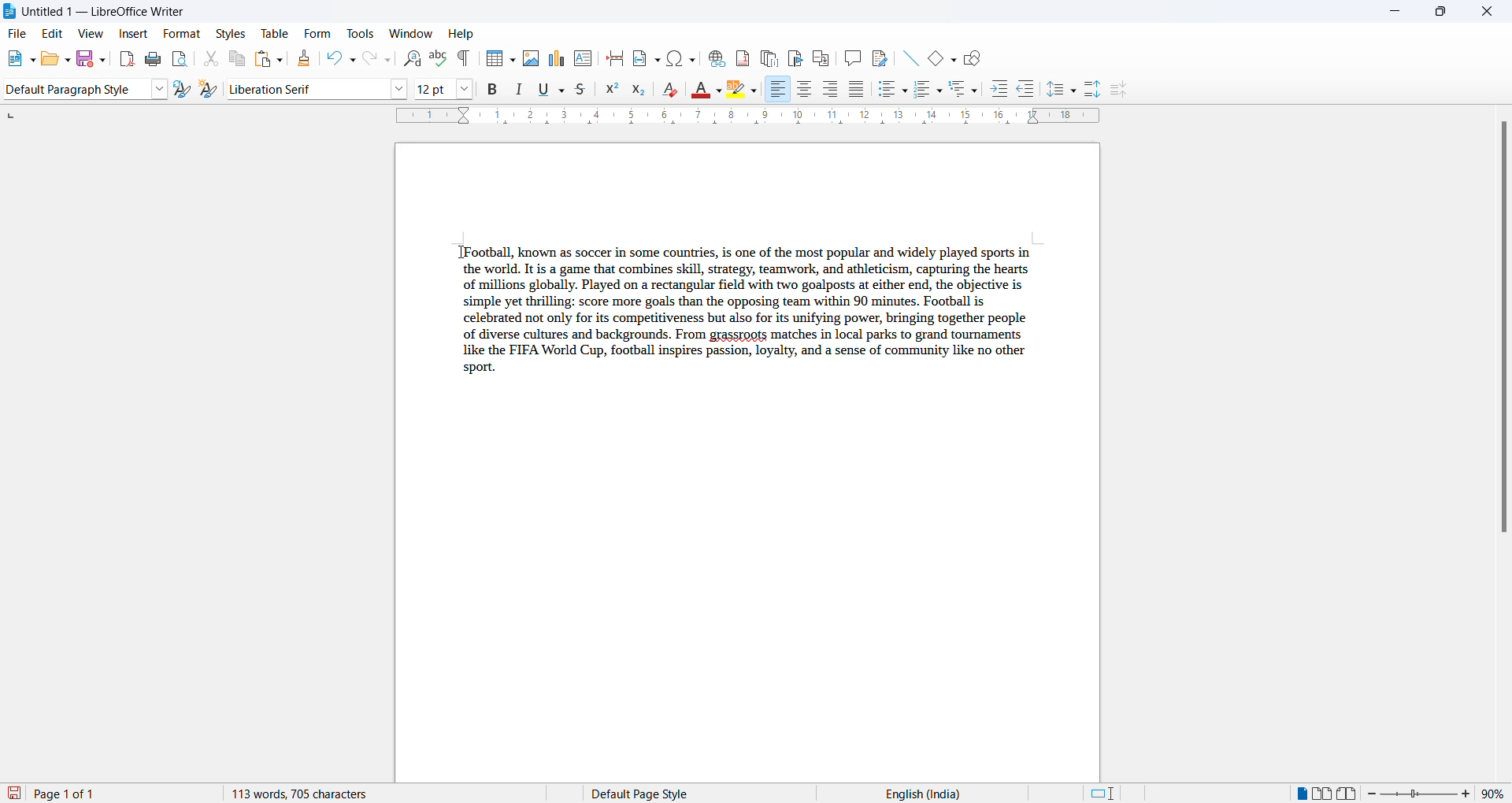 The width and height of the screenshot is (1512, 803). Describe the element at coordinates (101, 62) in the screenshot. I see `save options` at that location.